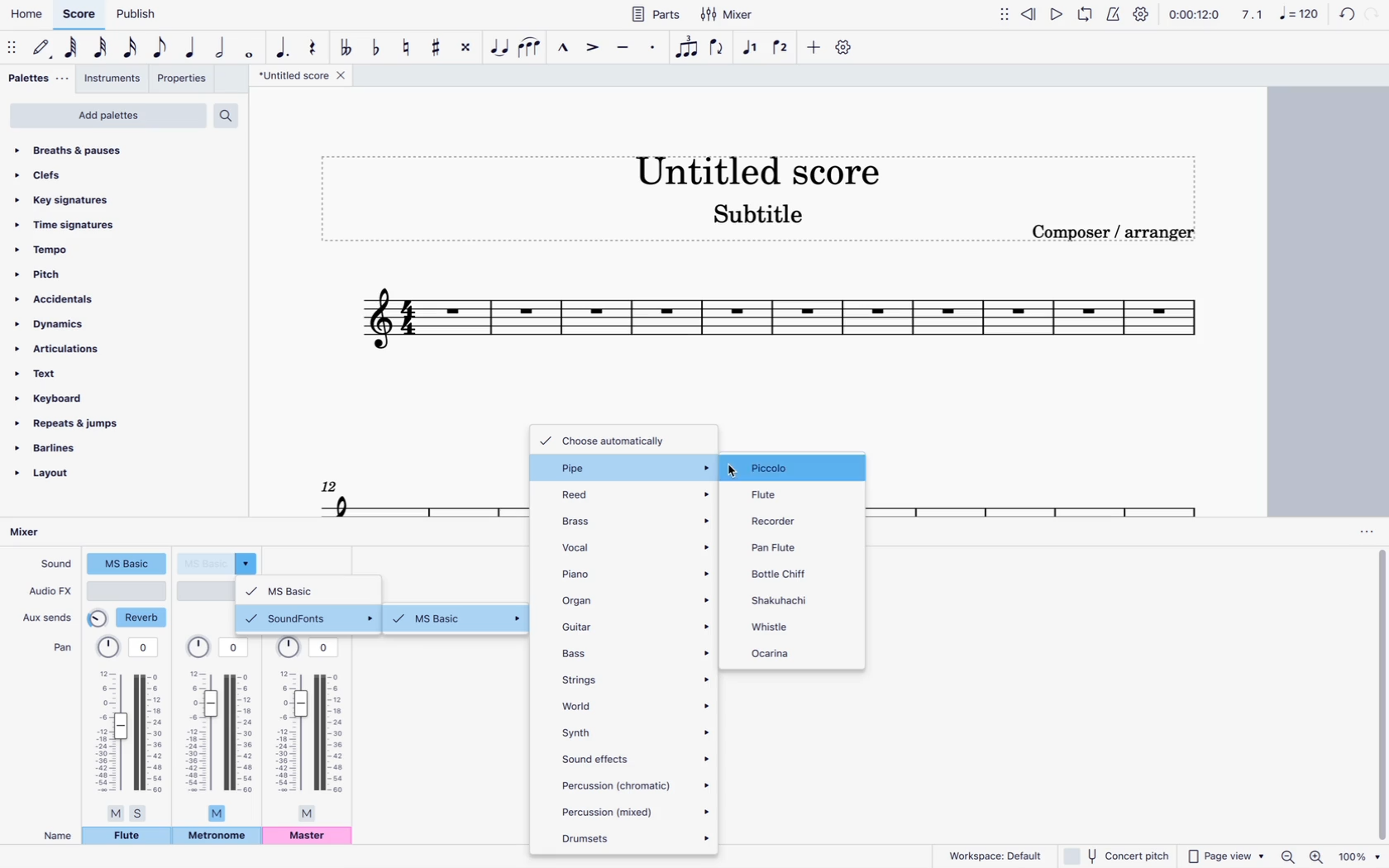  What do you see at coordinates (71, 477) in the screenshot?
I see `layout` at bounding box center [71, 477].